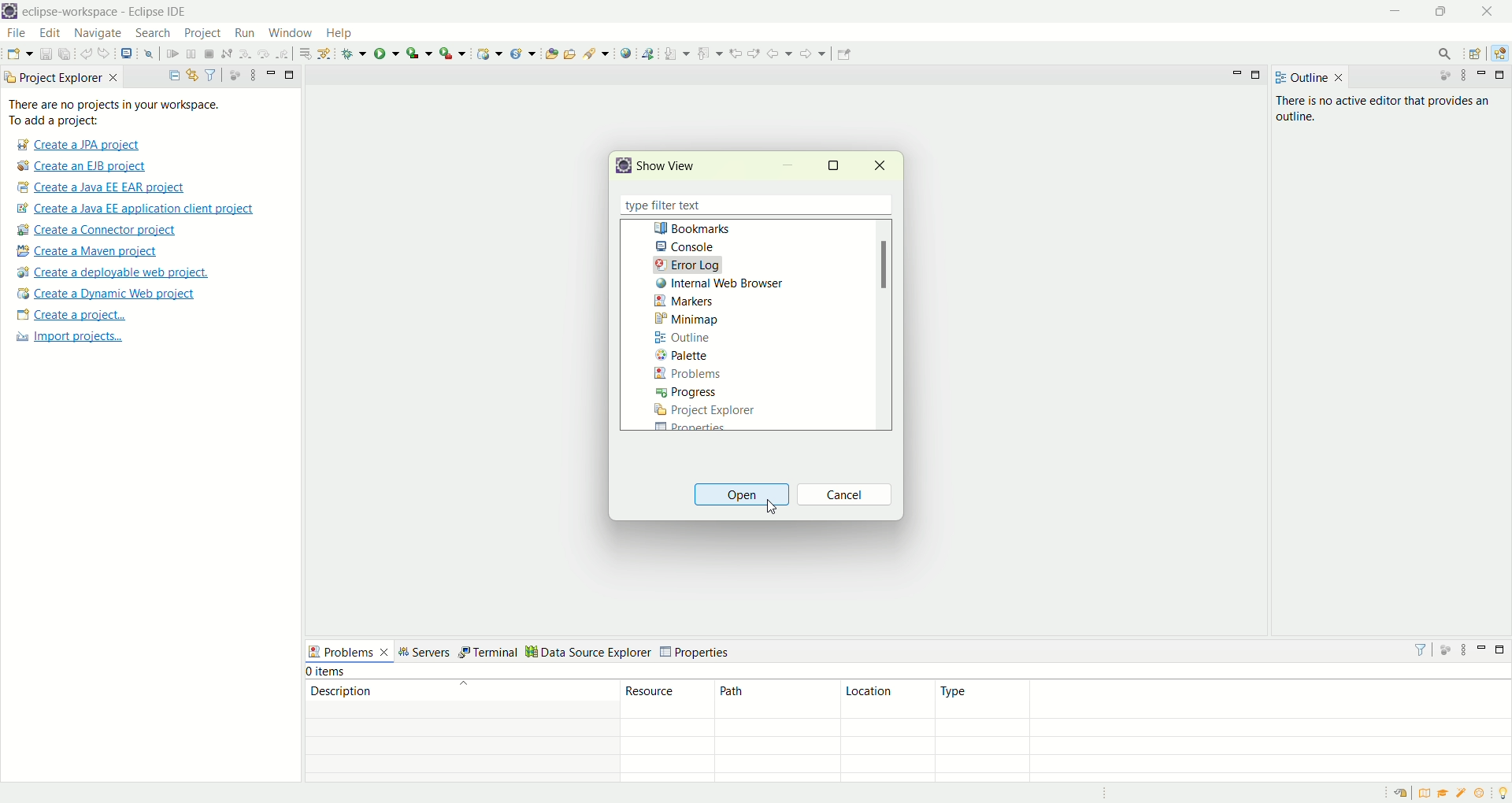  What do you see at coordinates (192, 53) in the screenshot?
I see `suspend` at bounding box center [192, 53].